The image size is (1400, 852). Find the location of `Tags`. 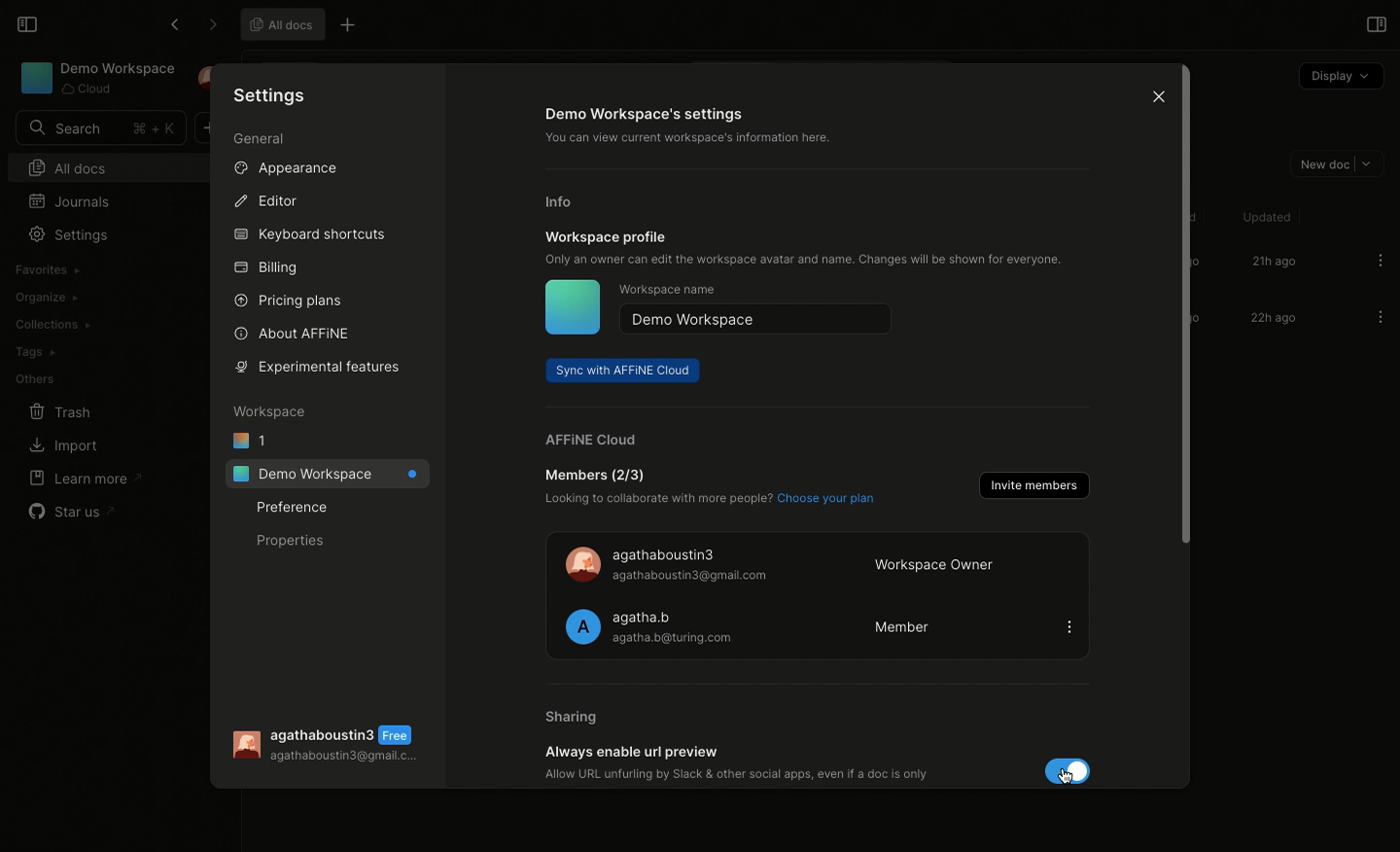

Tags is located at coordinates (34, 352).